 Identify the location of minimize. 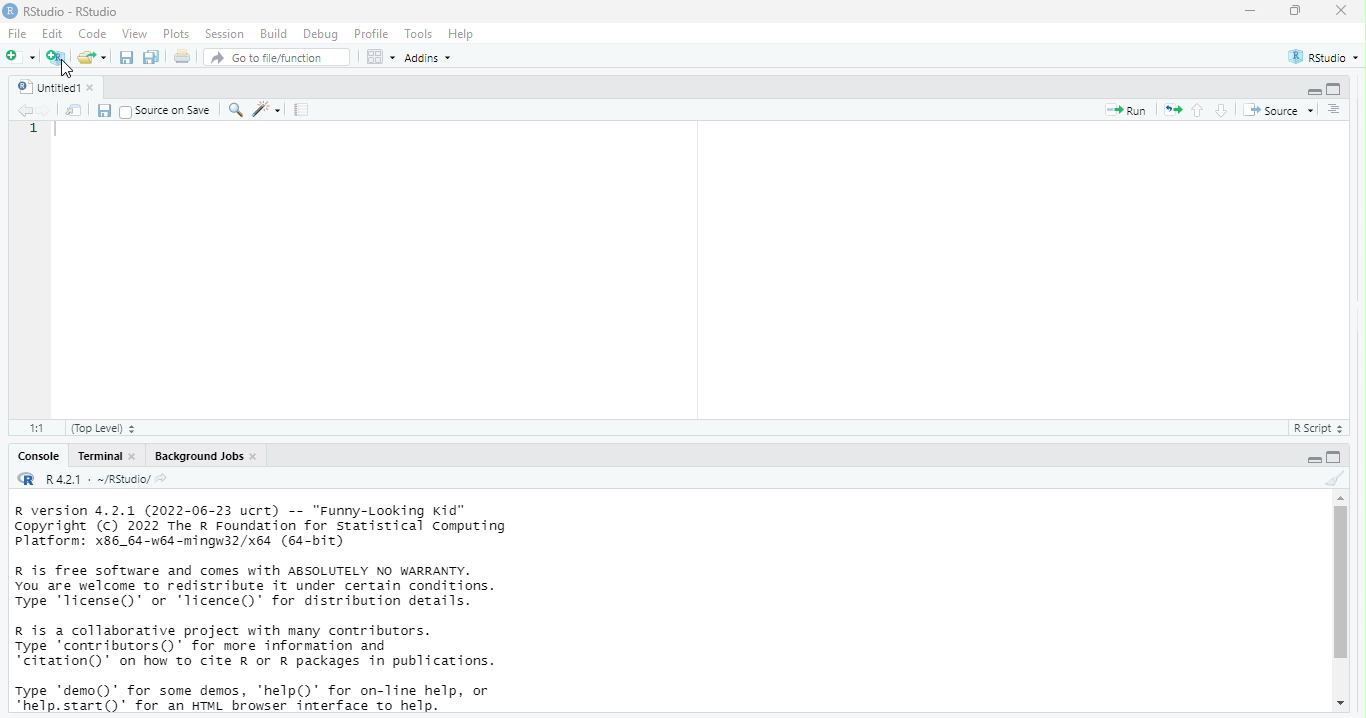
(1311, 88).